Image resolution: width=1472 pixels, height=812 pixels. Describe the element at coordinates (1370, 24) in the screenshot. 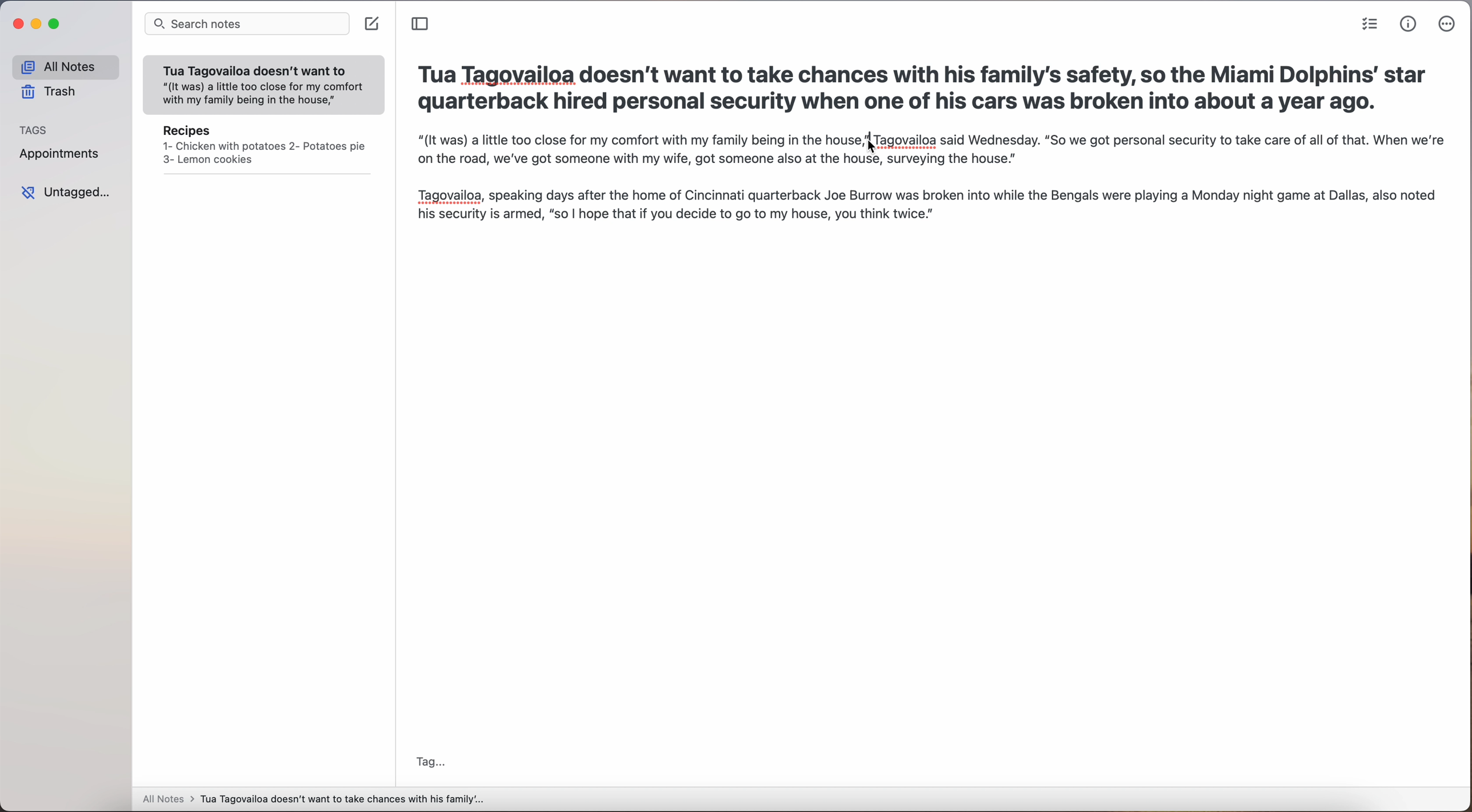

I see `check list` at that location.